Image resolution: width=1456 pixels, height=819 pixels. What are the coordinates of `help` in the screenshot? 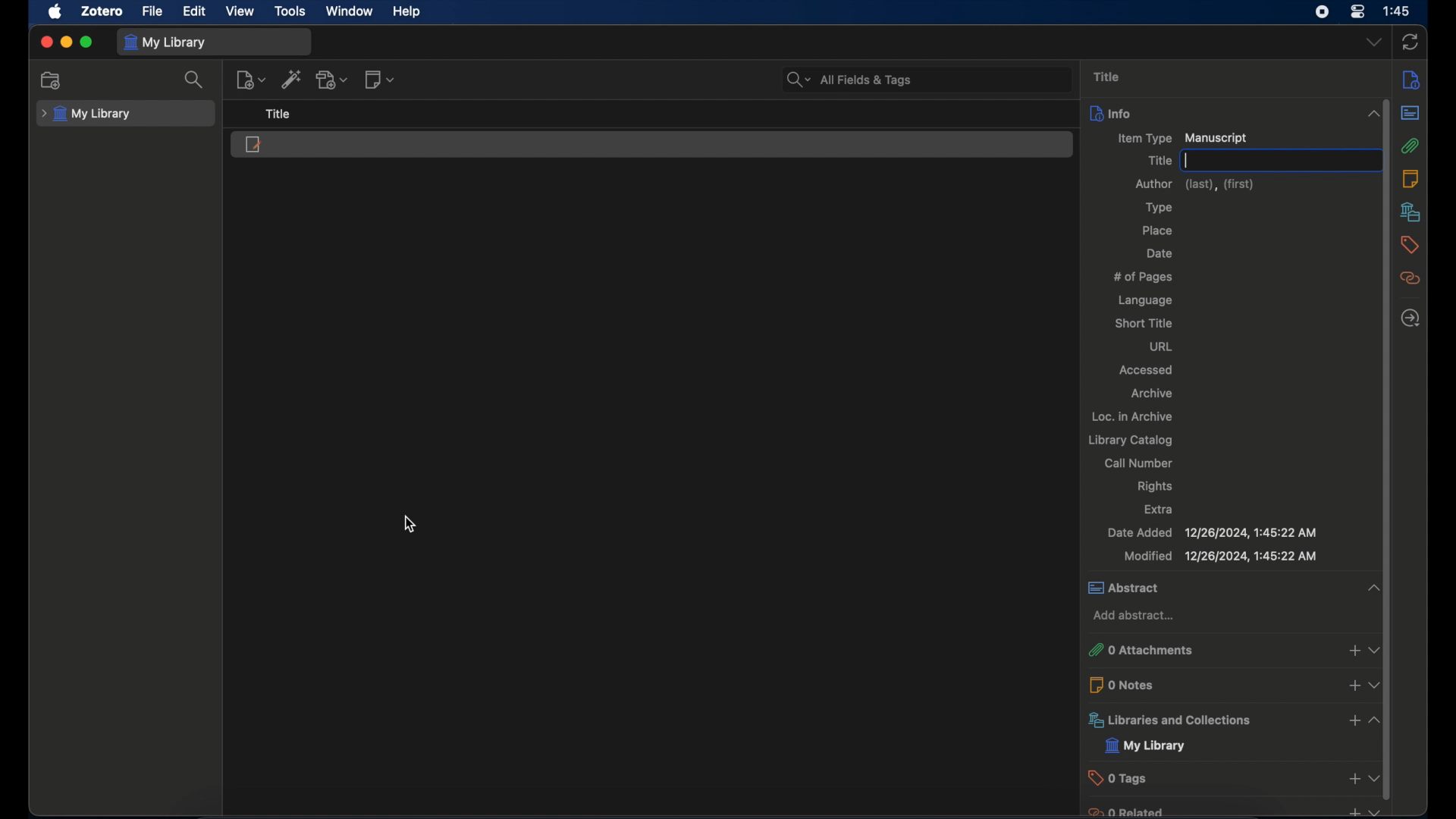 It's located at (406, 11).